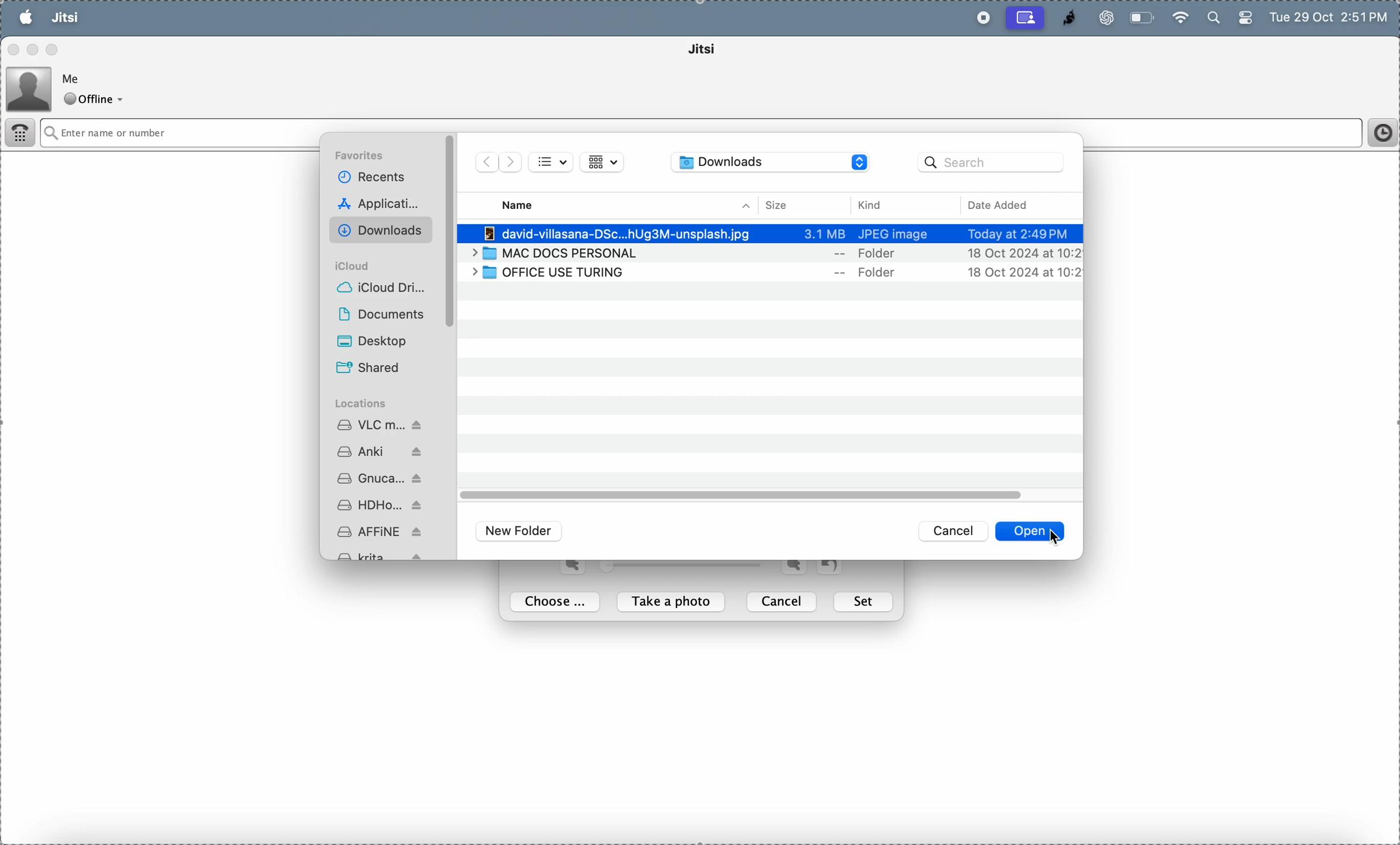  What do you see at coordinates (1143, 18) in the screenshot?
I see `battery` at bounding box center [1143, 18].